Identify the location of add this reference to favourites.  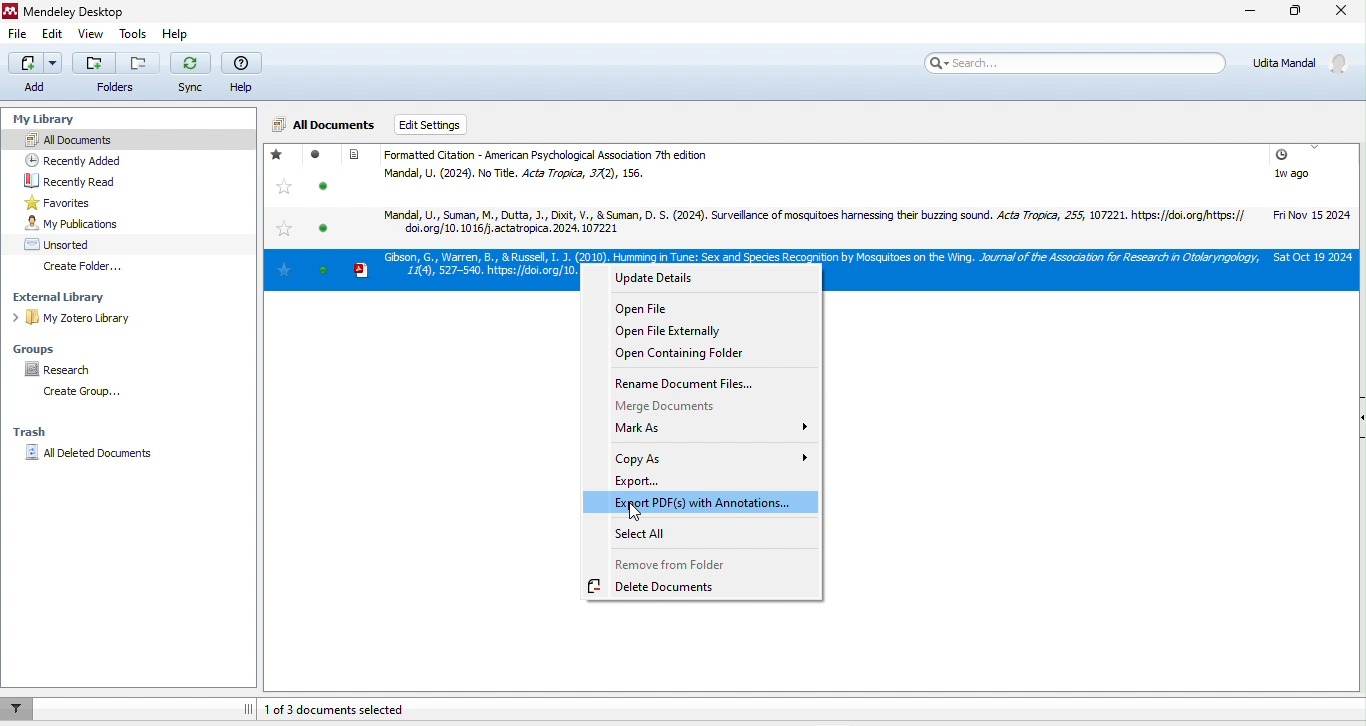
(285, 192).